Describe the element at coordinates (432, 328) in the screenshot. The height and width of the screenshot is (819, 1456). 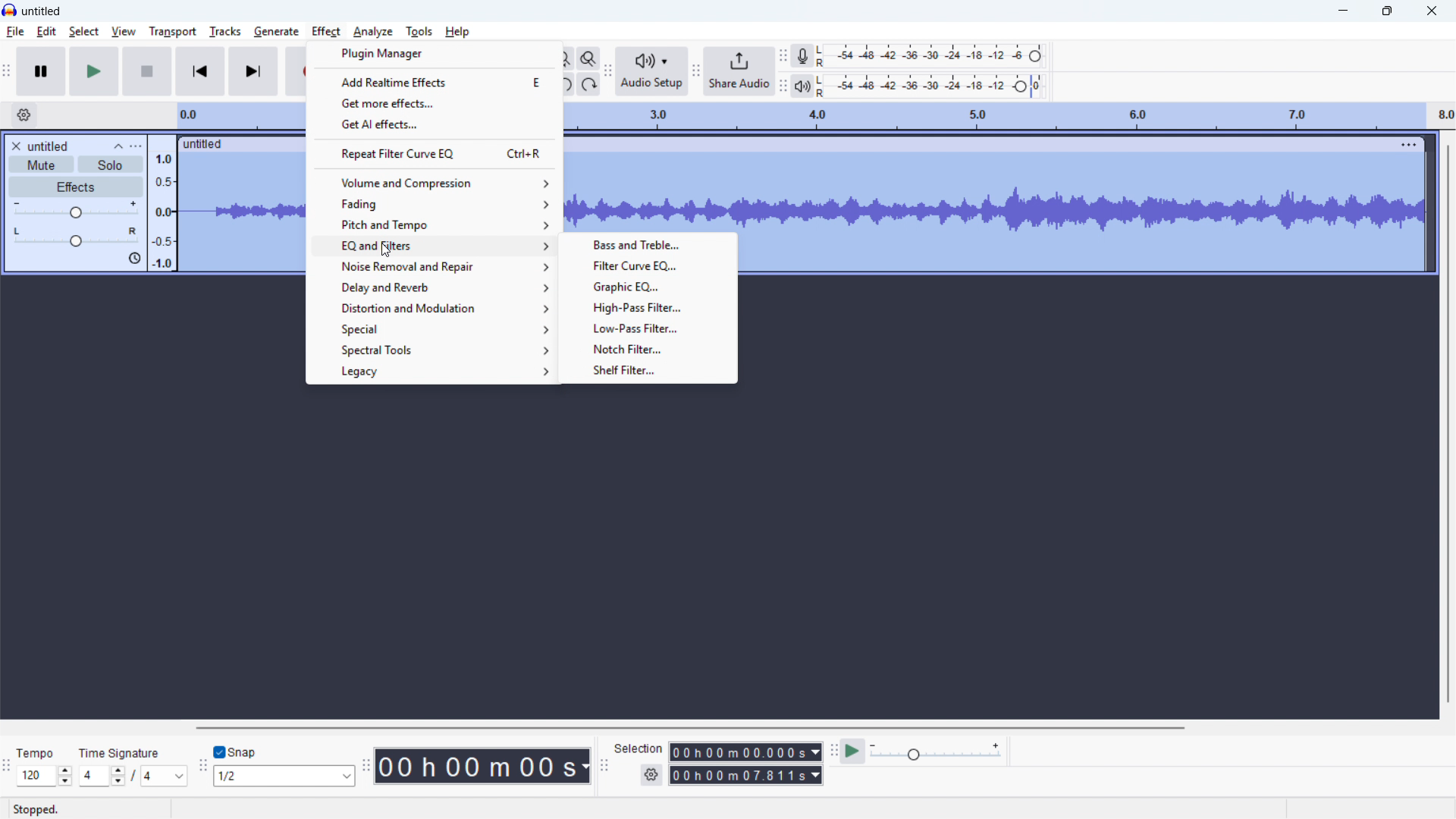
I see `special ` at that location.